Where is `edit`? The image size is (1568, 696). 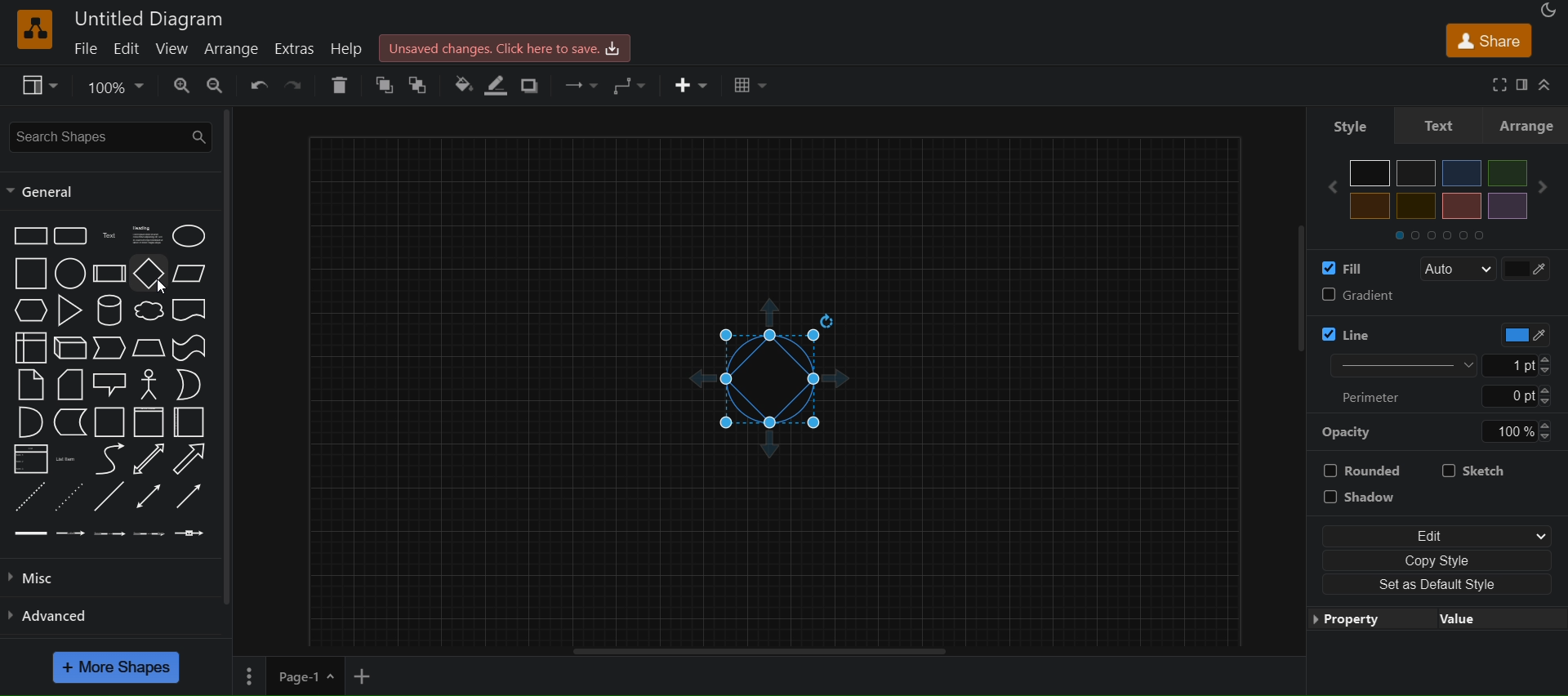 edit is located at coordinates (1437, 533).